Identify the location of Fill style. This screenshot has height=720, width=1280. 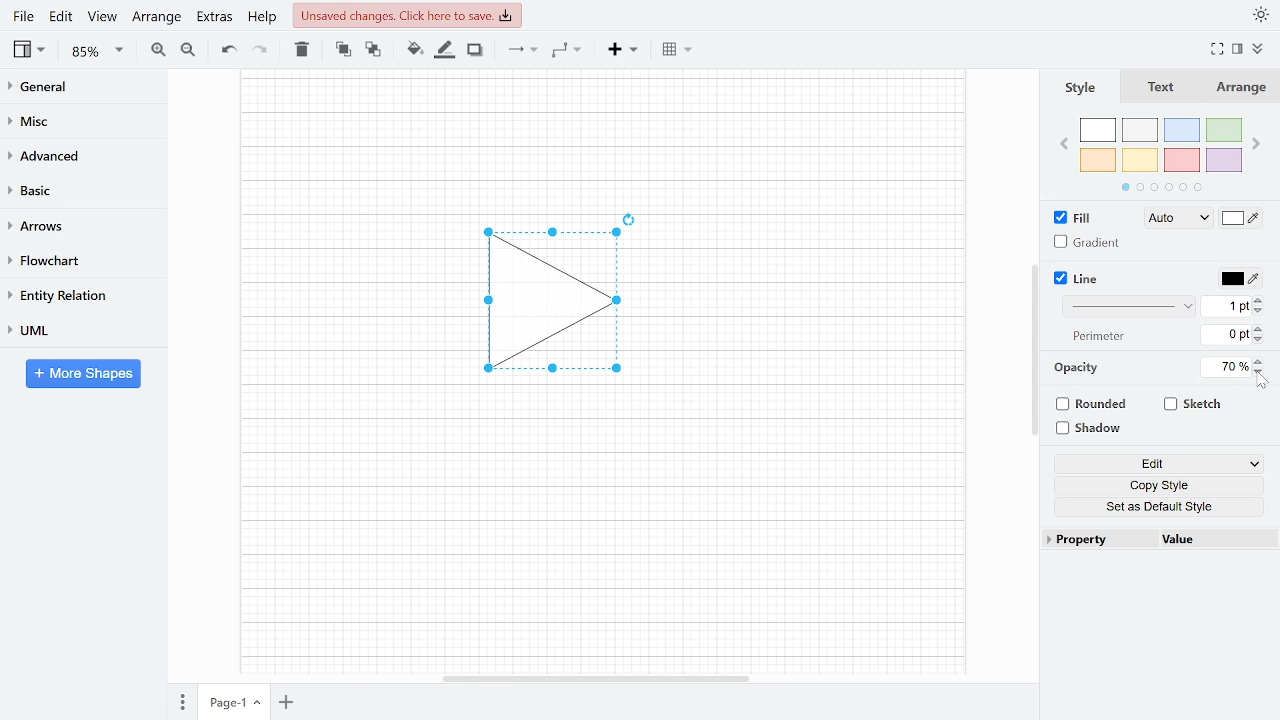
(1174, 219).